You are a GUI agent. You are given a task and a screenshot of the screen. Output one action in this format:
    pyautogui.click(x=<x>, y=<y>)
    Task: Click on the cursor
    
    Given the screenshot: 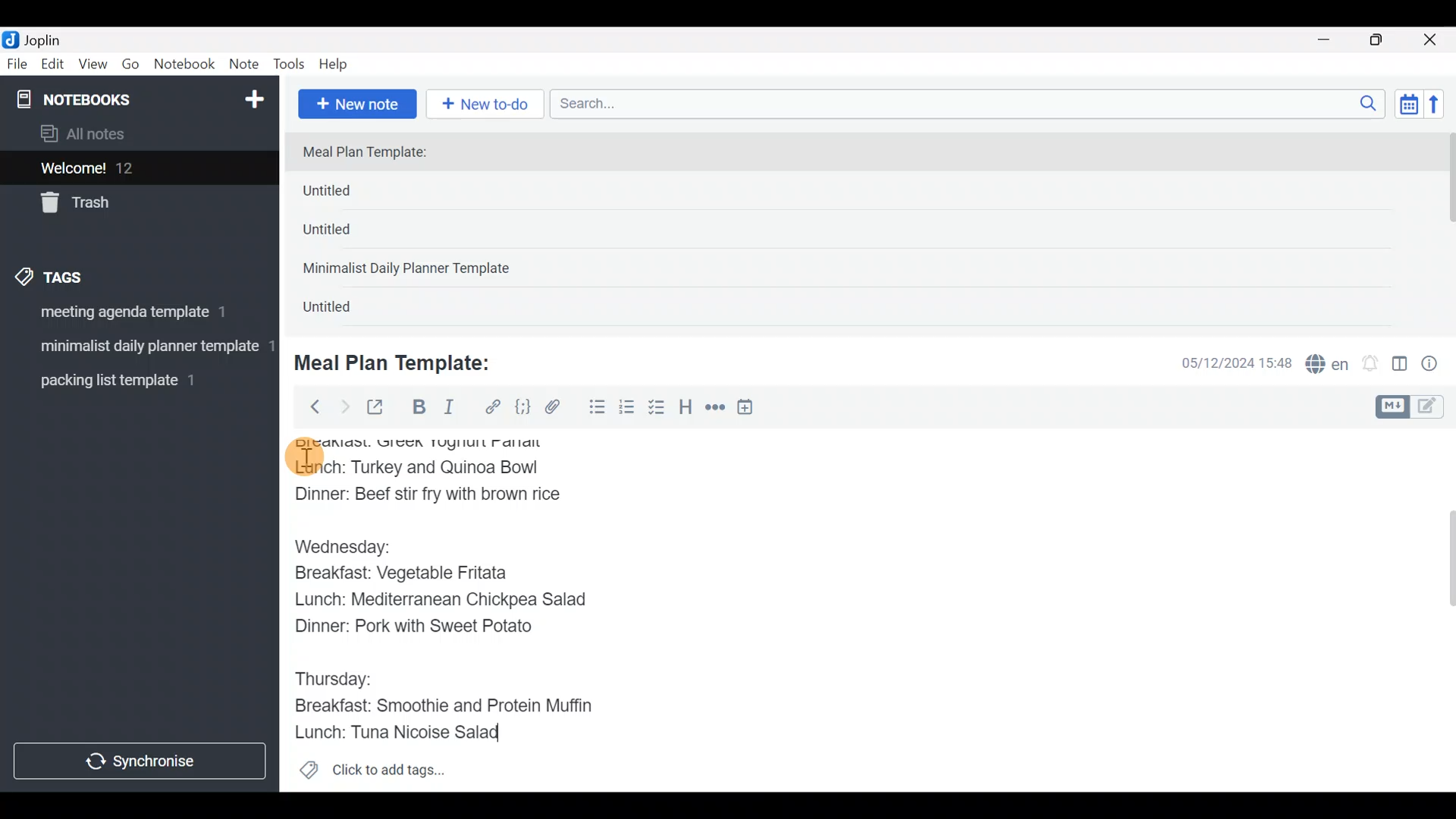 What is the action you would take?
    pyautogui.click(x=303, y=457)
    